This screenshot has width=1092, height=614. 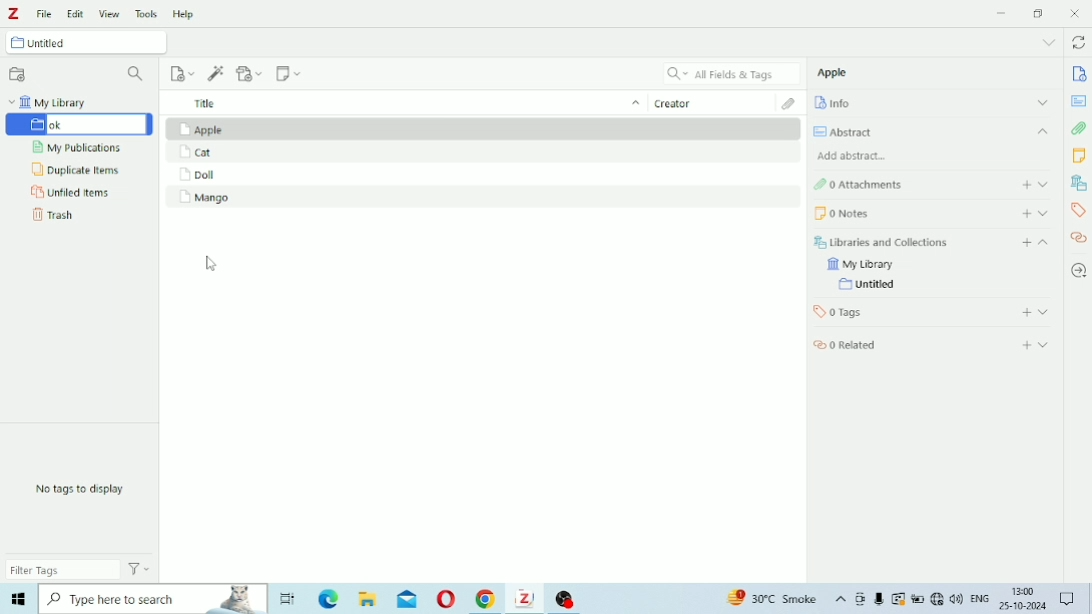 What do you see at coordinates (19, 73) in the screenshot?
I see `New Collection` at bounding box center [19, 73].